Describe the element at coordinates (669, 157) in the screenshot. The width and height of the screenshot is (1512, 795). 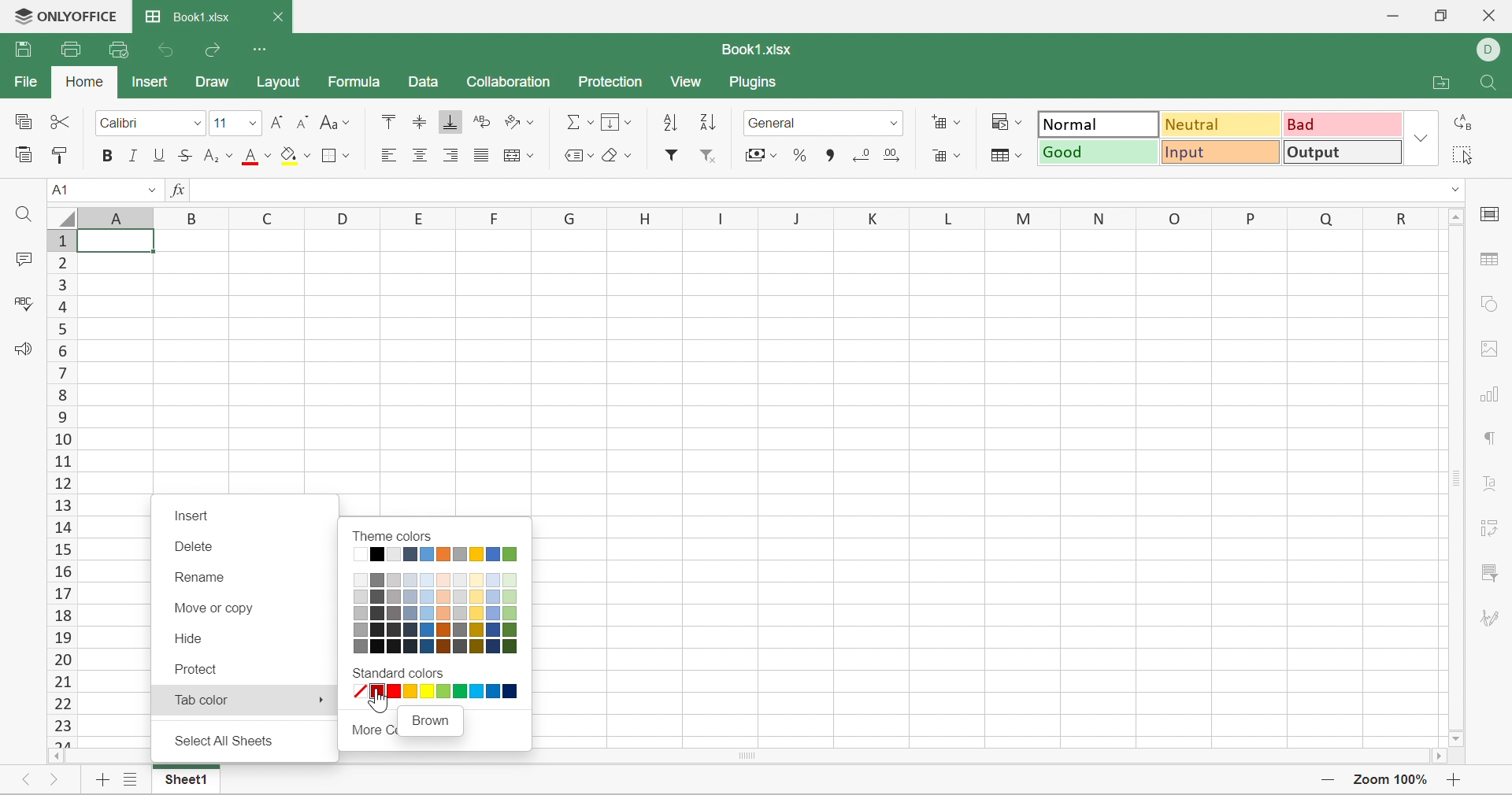
I see `filter` at that location.